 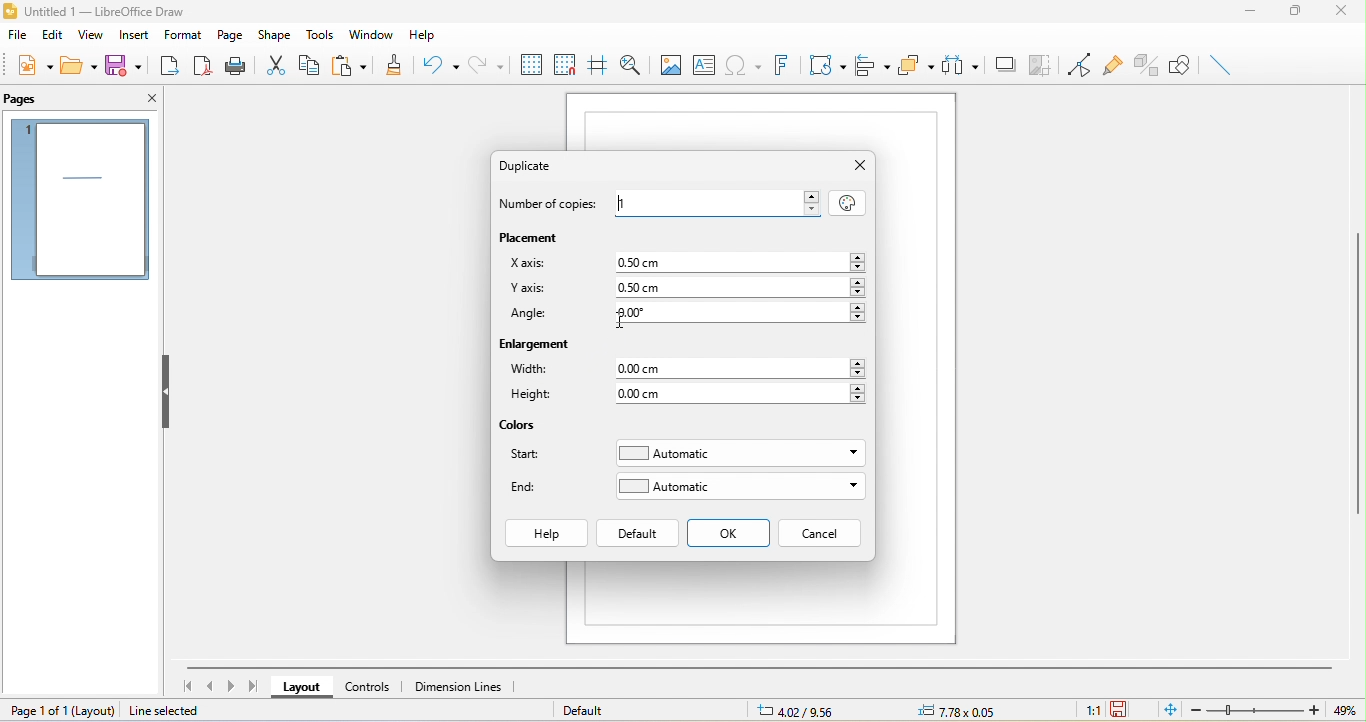 What do you see at coordinates (63, 710) in the screenshot?
I see `page 1 of 1` at bounding box center [63, 710].